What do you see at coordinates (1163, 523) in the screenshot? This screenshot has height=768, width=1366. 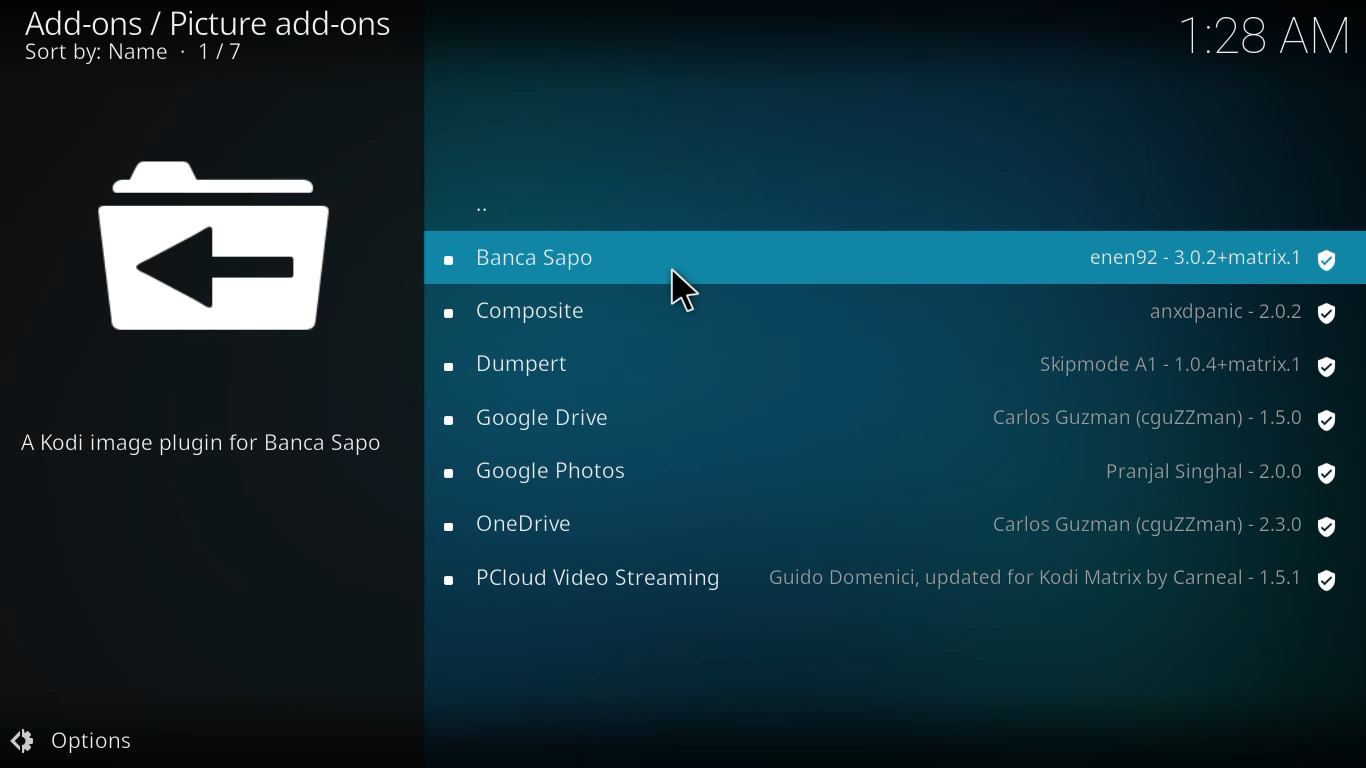 I see `version` at bounding box center [1163, 523].